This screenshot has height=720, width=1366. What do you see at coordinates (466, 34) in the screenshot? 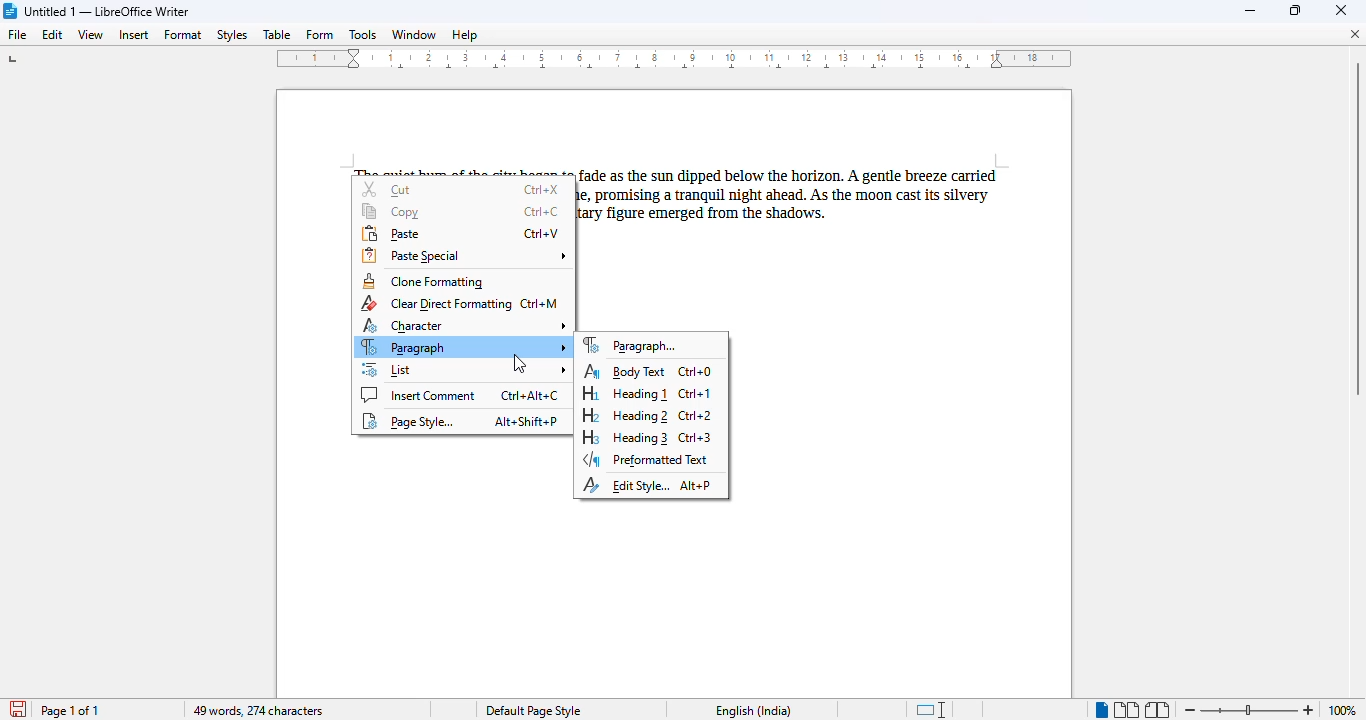
I see `help` at bounding box center [466, 34].